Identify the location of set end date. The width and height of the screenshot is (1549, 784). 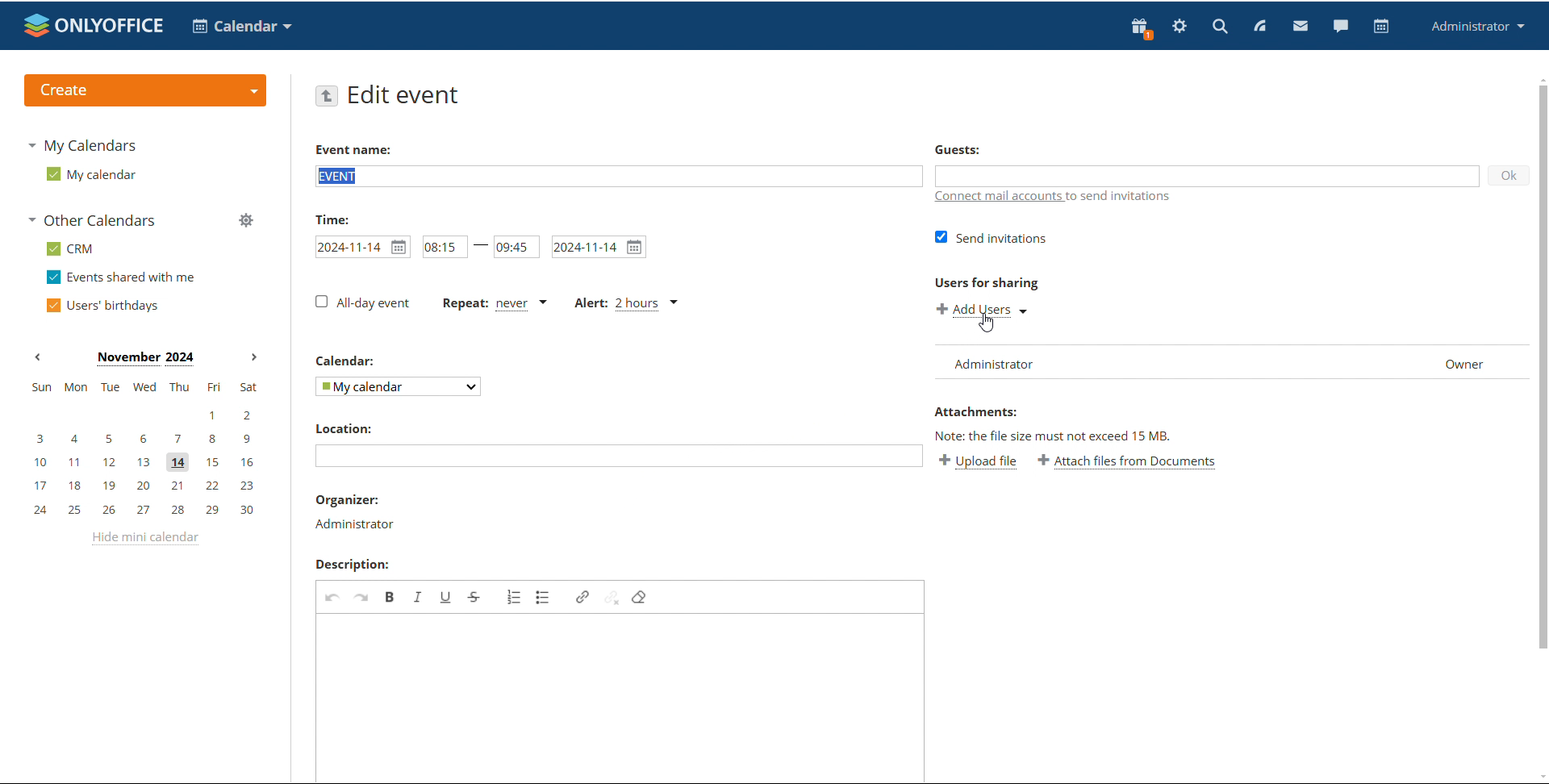
(599, 247).